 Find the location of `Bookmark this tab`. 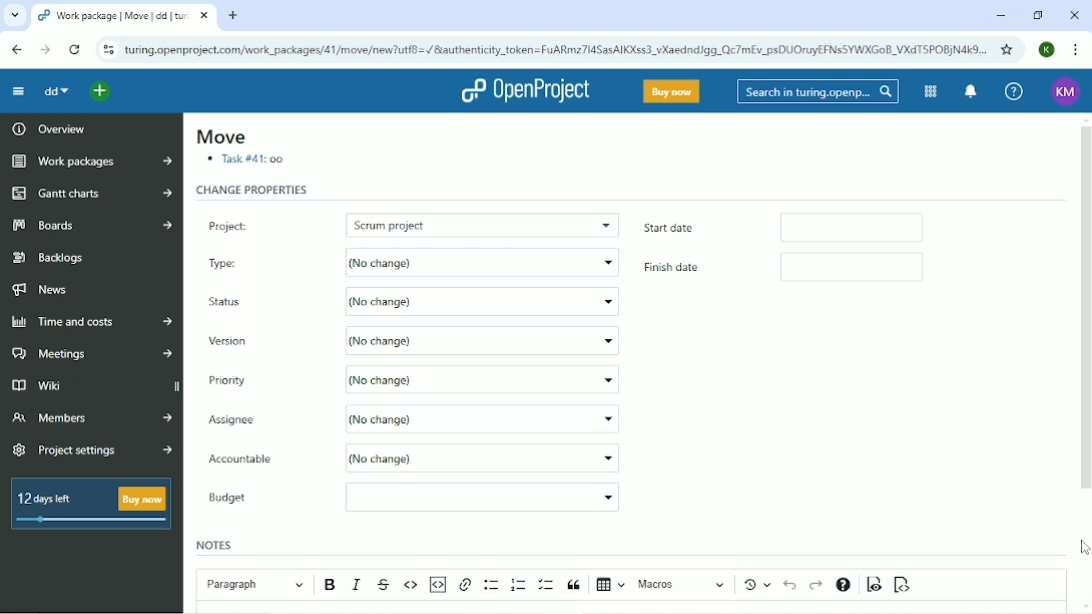

Bookmark this tab is located at coordinates (1005, 49).